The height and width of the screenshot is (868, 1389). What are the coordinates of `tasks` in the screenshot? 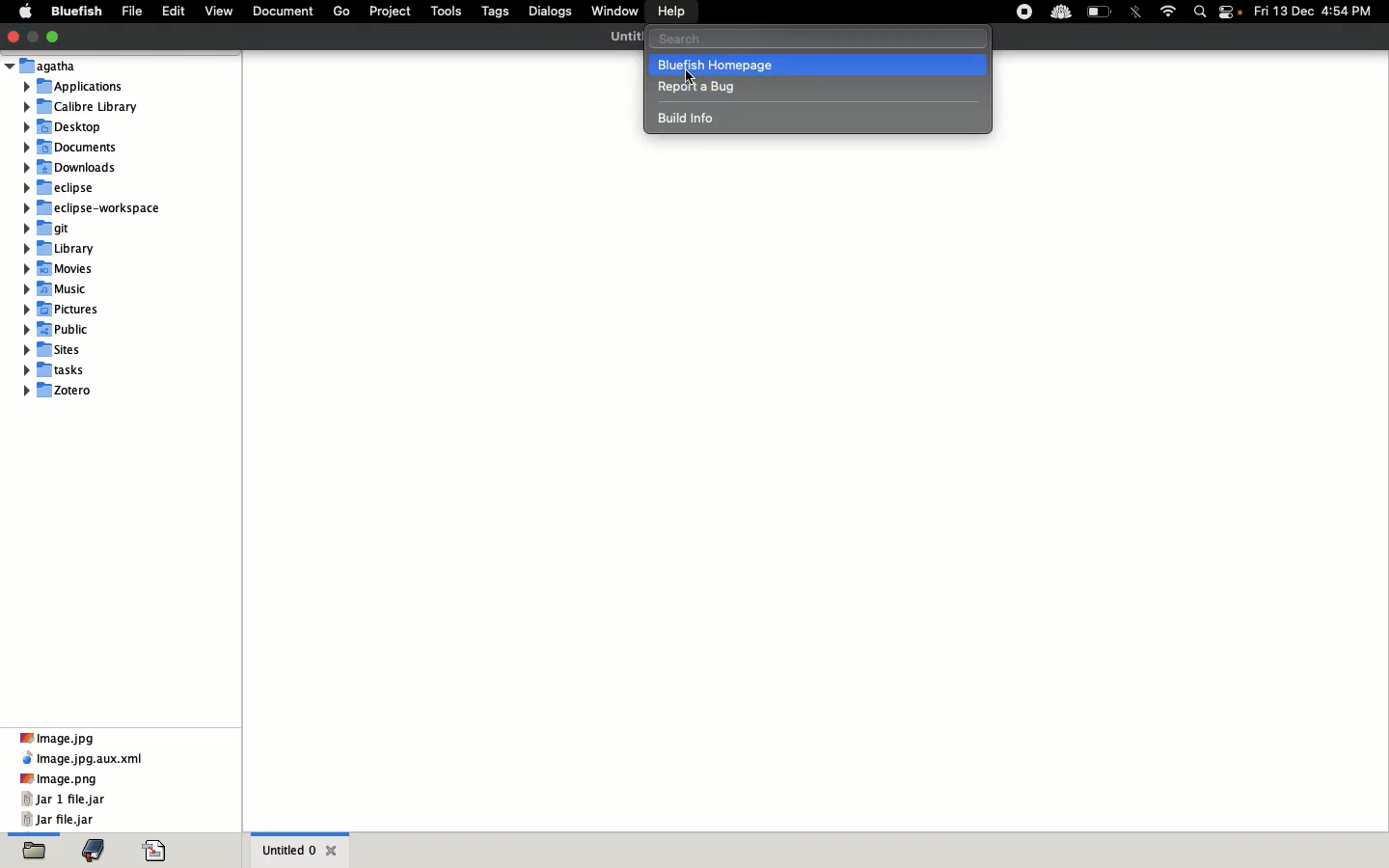 It's located at (66, 369).